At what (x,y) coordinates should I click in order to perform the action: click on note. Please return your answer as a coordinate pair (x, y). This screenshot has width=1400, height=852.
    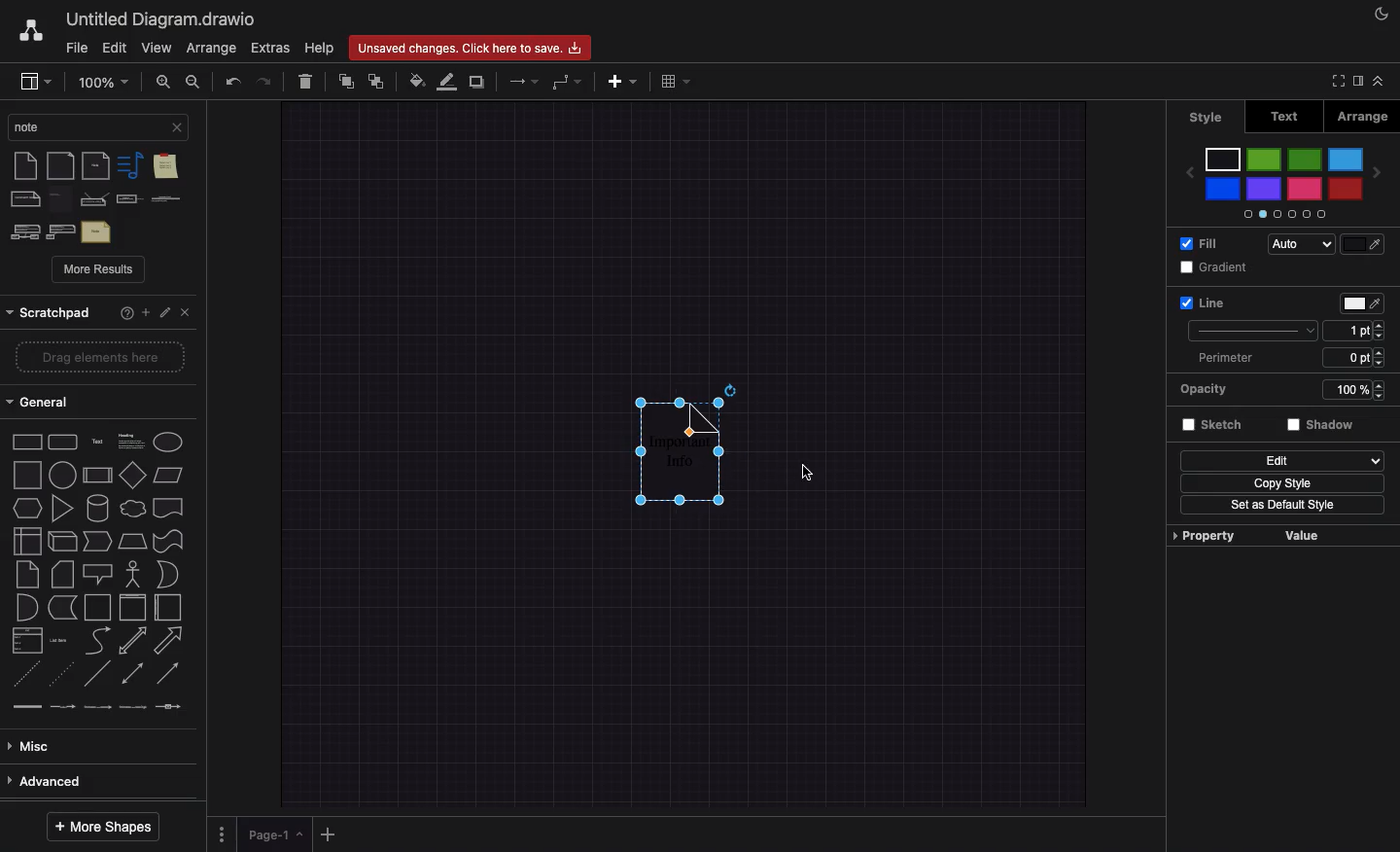
    Looking at the image, I should click on (97, 165).